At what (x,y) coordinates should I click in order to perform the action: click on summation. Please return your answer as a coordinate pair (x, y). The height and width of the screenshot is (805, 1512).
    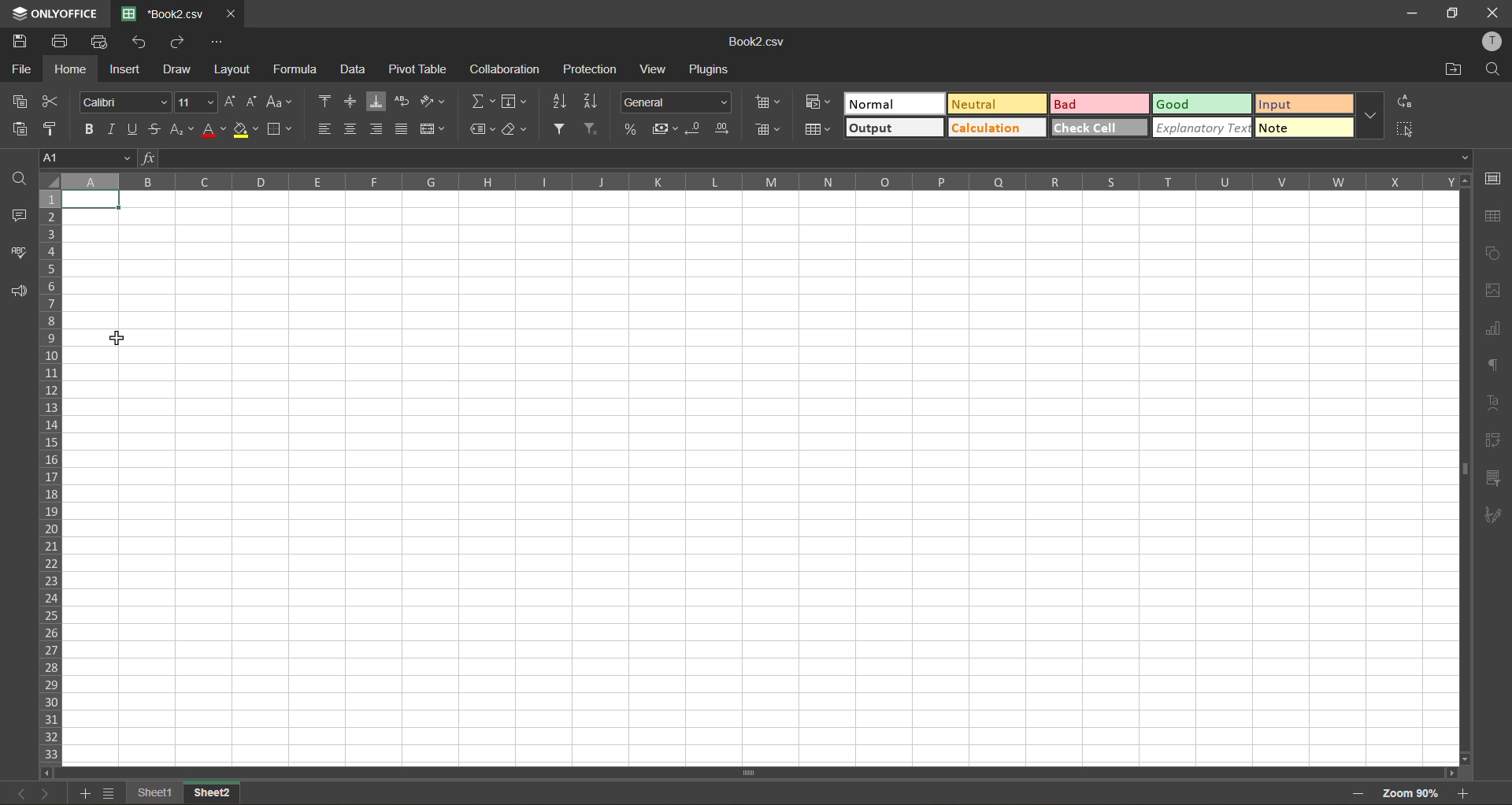
    Looking at the image, I should click on (482, 101).